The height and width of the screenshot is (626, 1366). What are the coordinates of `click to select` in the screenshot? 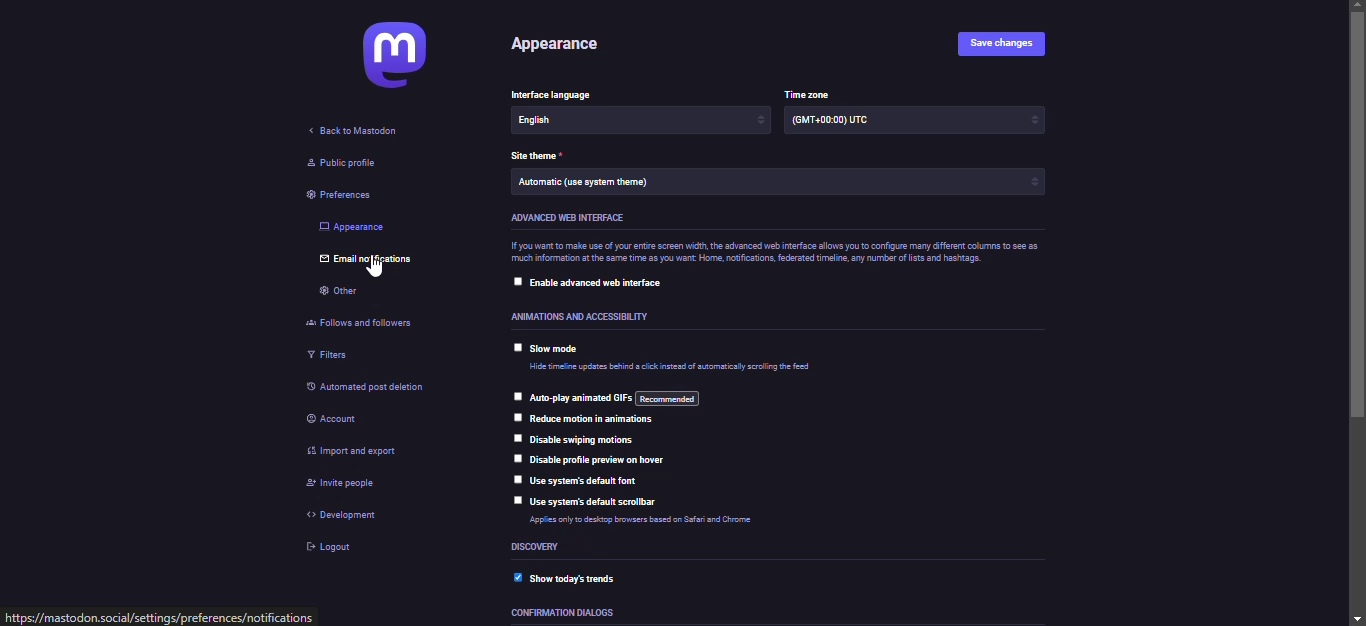 It's located at (515, 436).